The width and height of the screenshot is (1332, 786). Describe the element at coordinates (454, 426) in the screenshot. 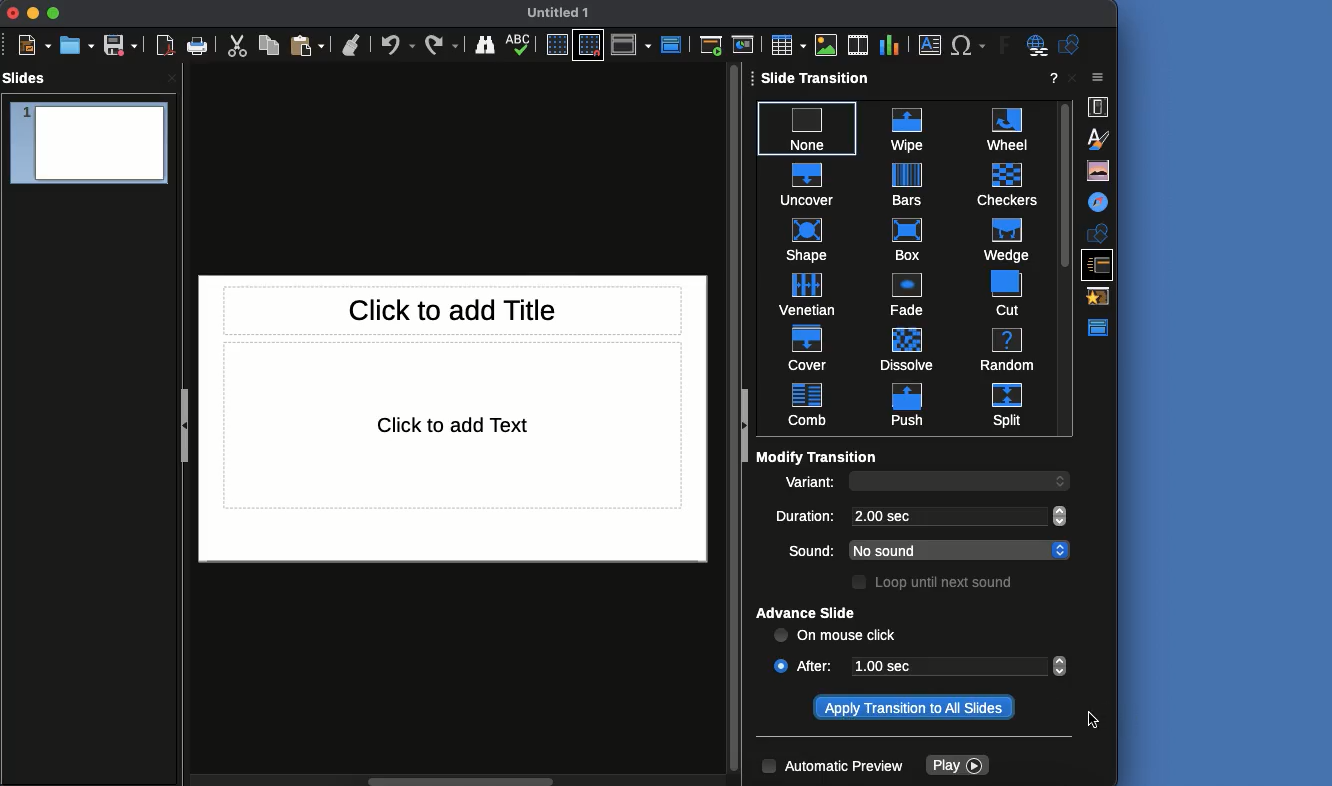

I see `Text` at that location.